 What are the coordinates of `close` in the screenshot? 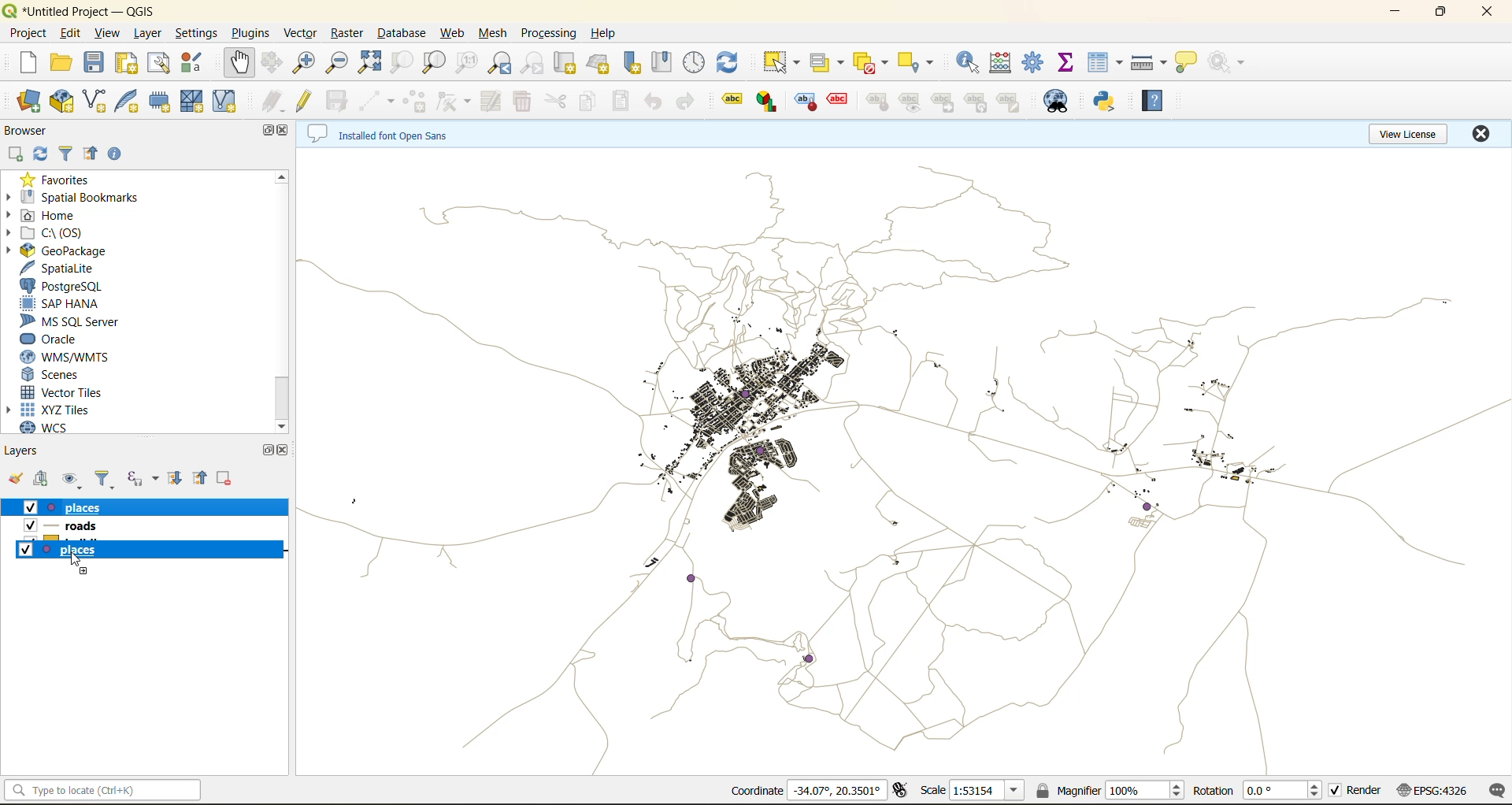 It's located at (1487, 12).